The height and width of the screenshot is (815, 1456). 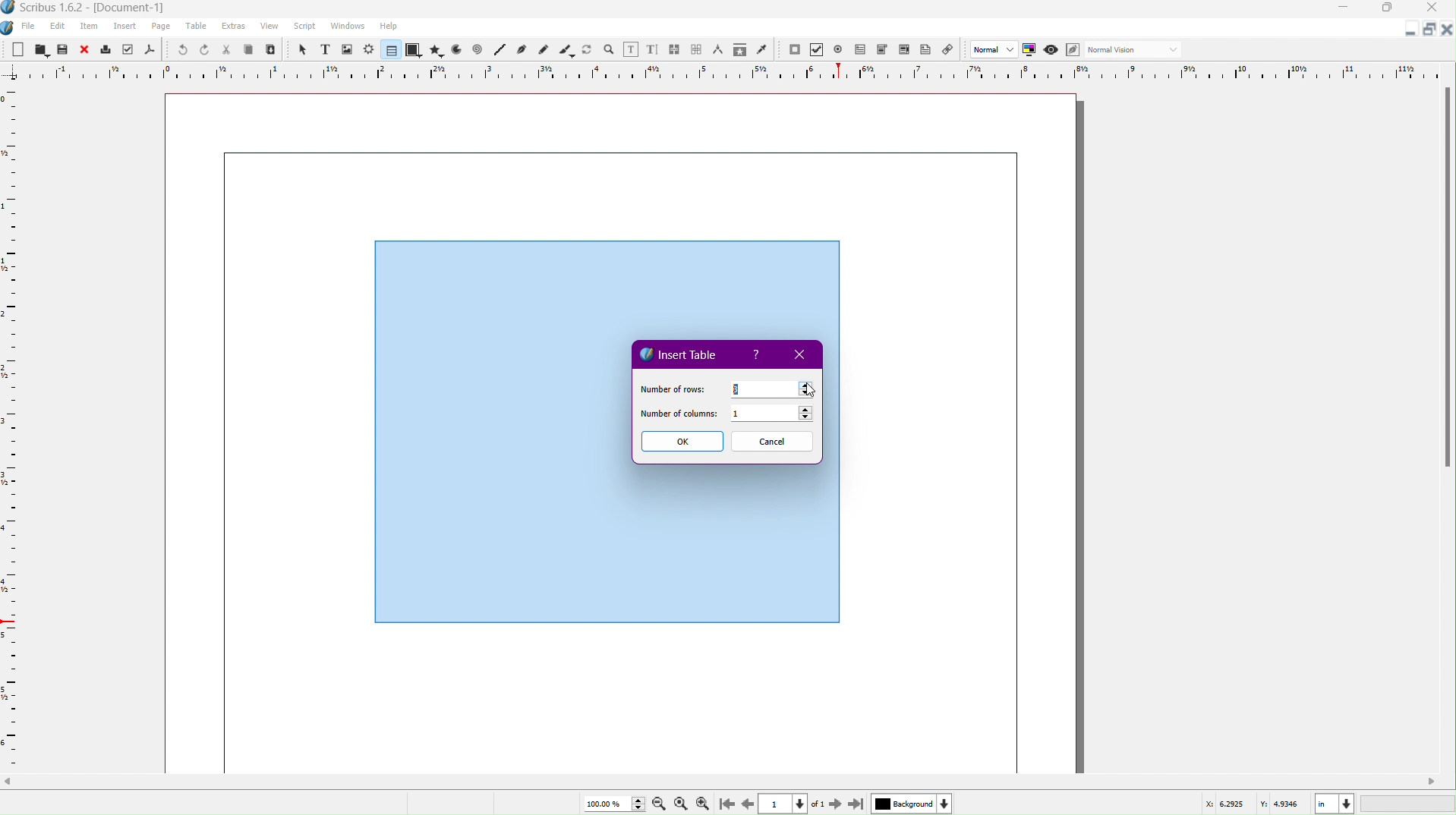 What do you see at coordinates (544, 49) in the screenshot?
I see `Freehand Line` at bounding box center [544, 49].